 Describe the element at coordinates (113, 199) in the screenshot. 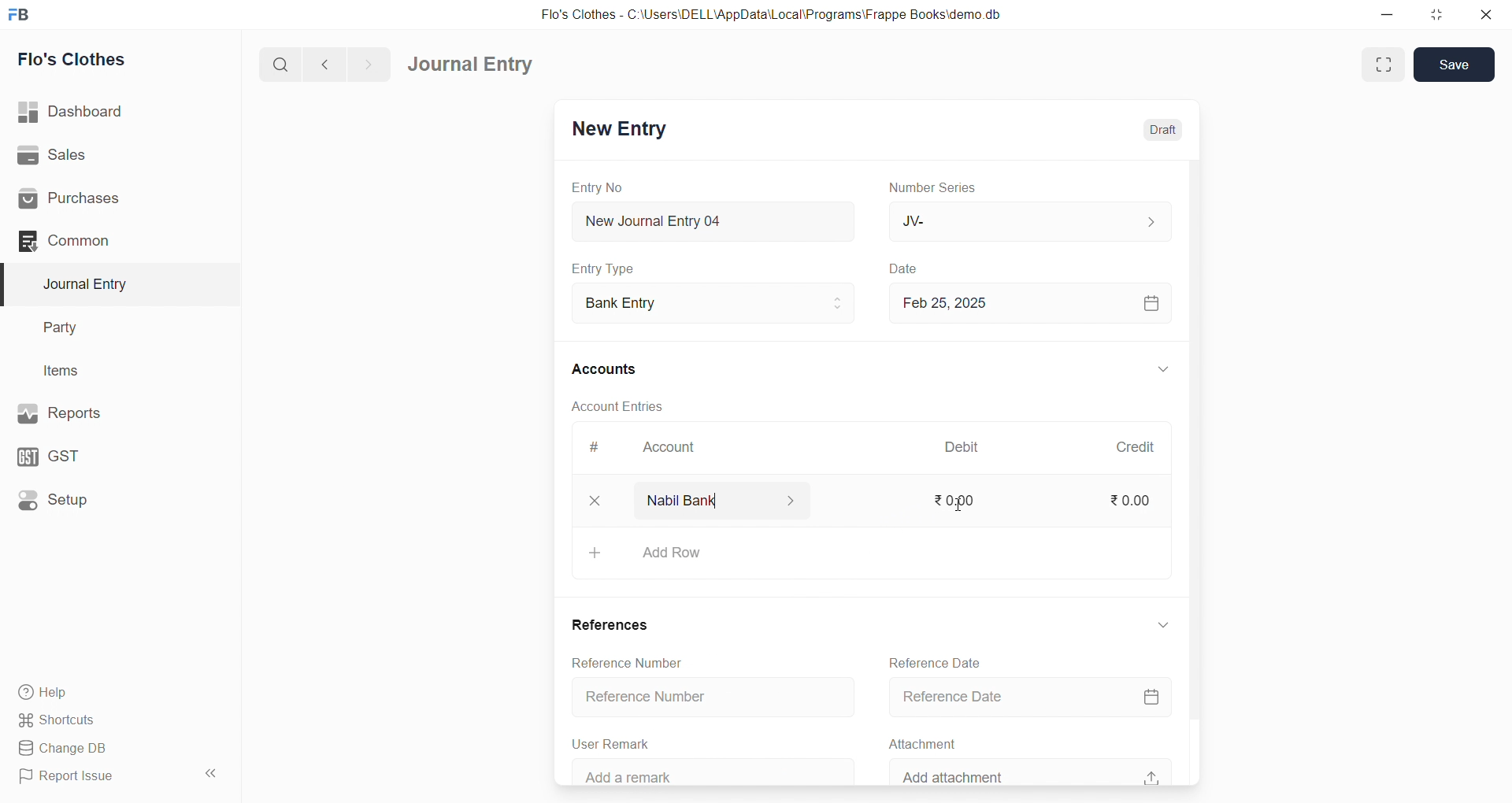

I see `Purchases` at that location.